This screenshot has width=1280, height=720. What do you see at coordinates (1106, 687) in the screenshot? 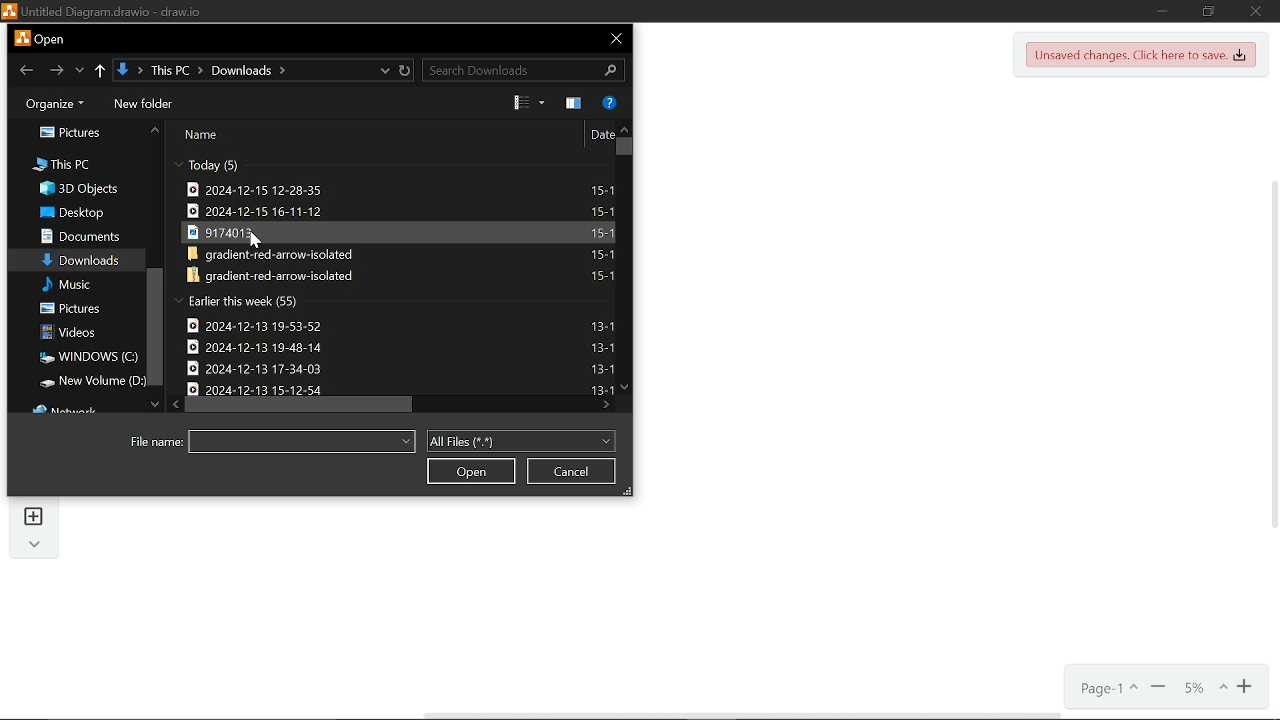
I see `Page options` at bounding box center [1106, 687].